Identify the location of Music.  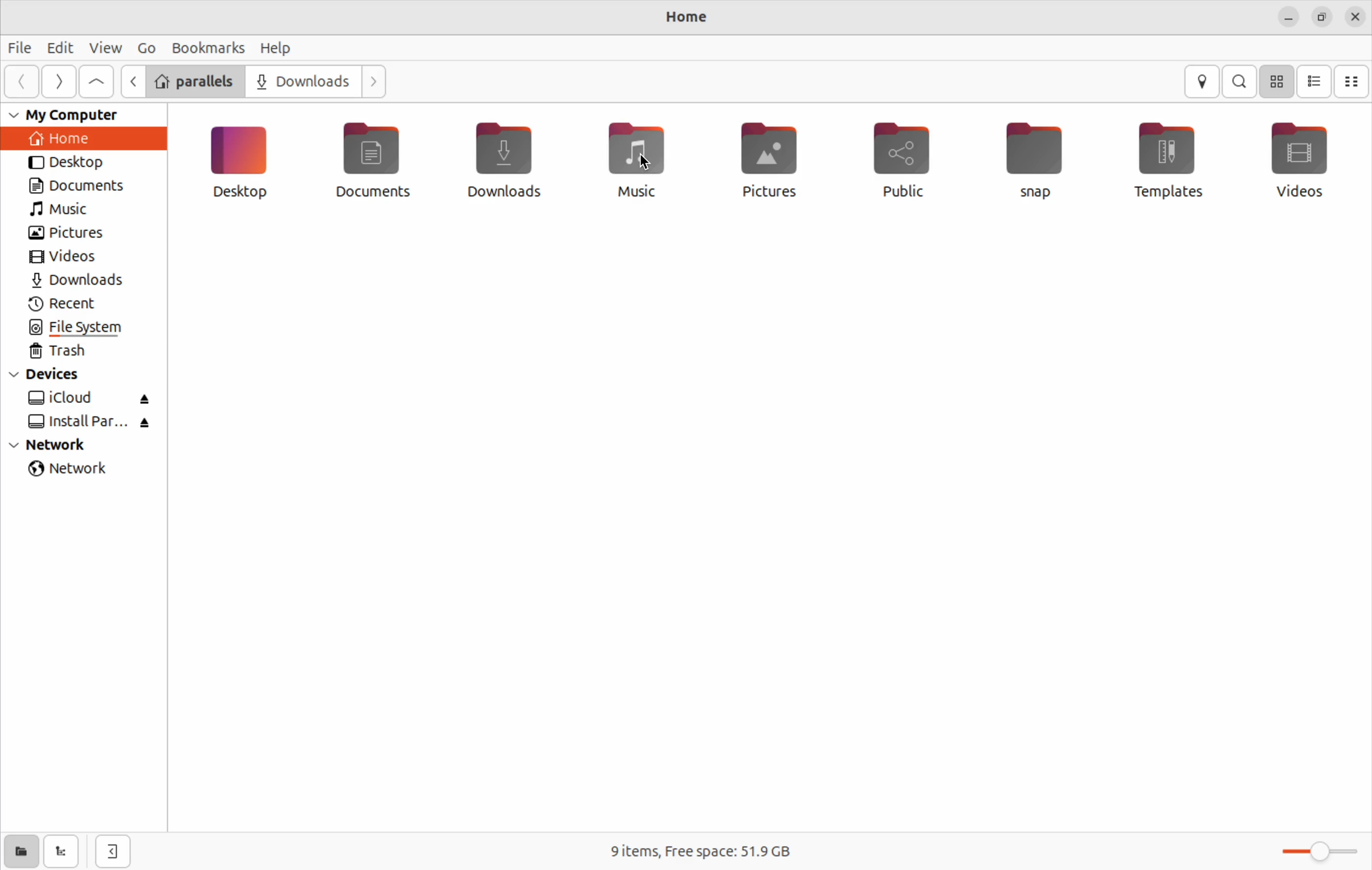
(643, 162).